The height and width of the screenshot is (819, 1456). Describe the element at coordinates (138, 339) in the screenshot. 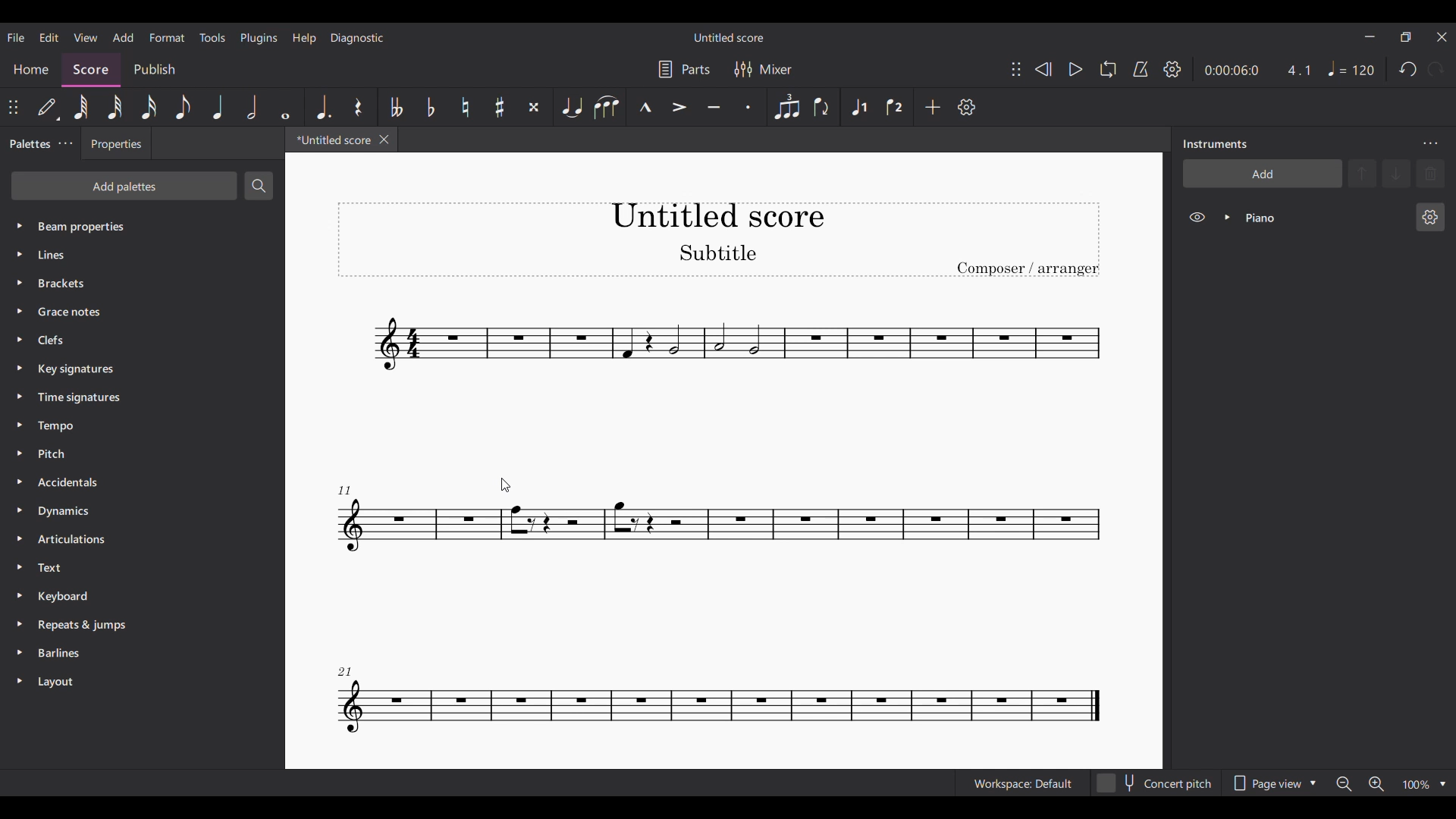

I see `Clefs` at that location.